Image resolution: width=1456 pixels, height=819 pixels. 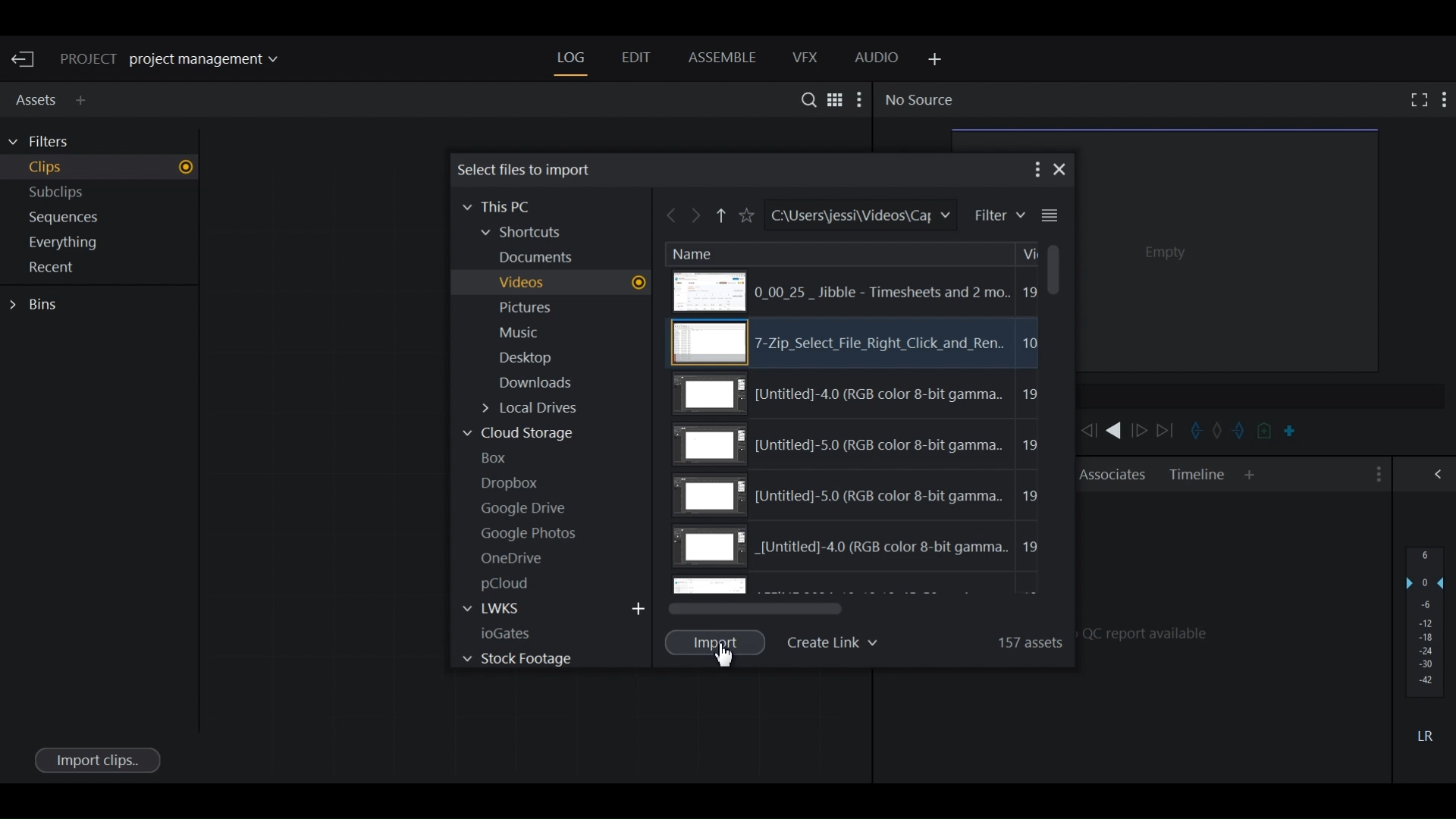 What do you see at coordinates (571, 58) in the screenshot?
I see `Log` at bounding box center [571, 58].